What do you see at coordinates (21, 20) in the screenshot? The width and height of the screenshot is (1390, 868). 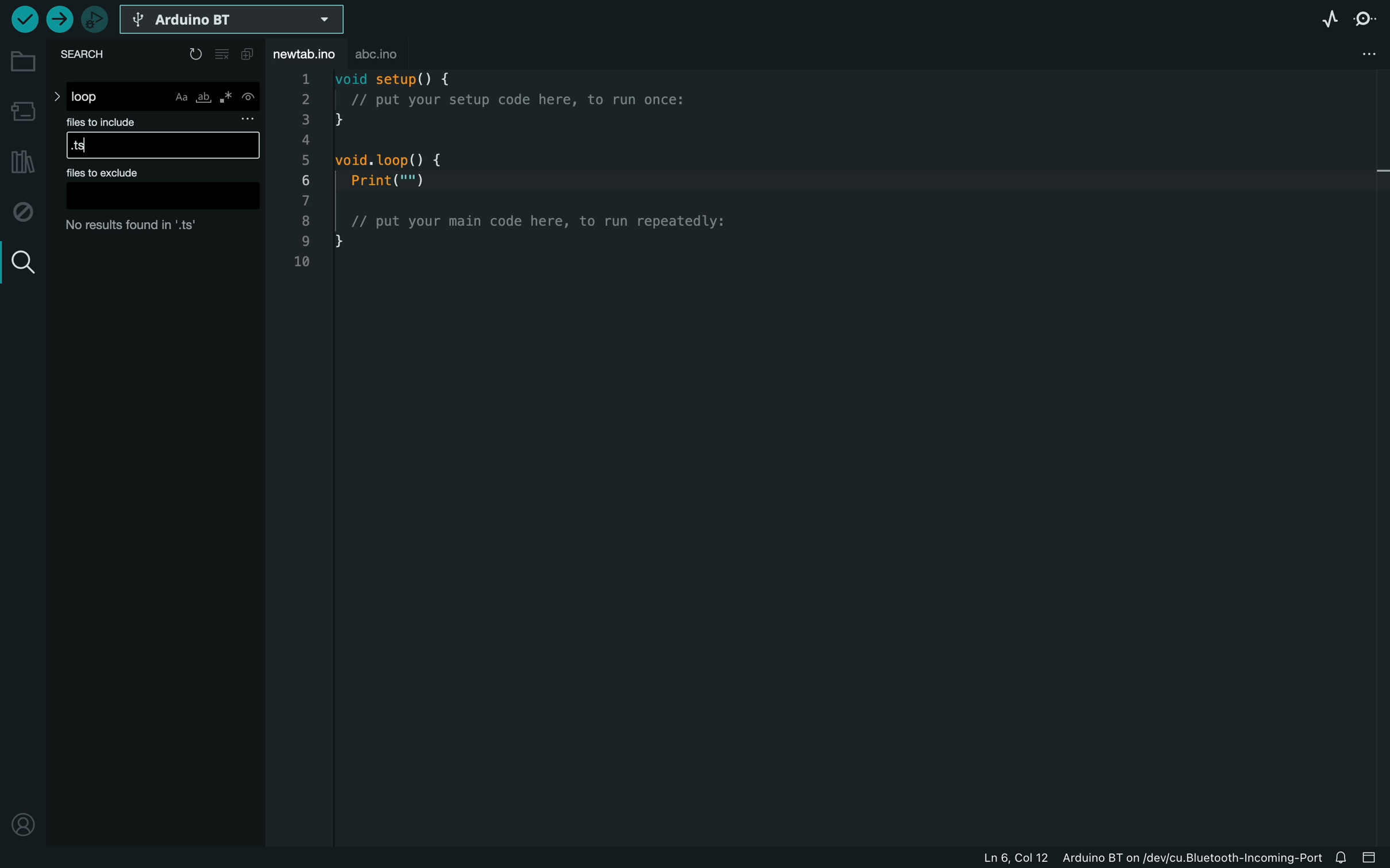 I see `verify` at bounding box center [21, 20].